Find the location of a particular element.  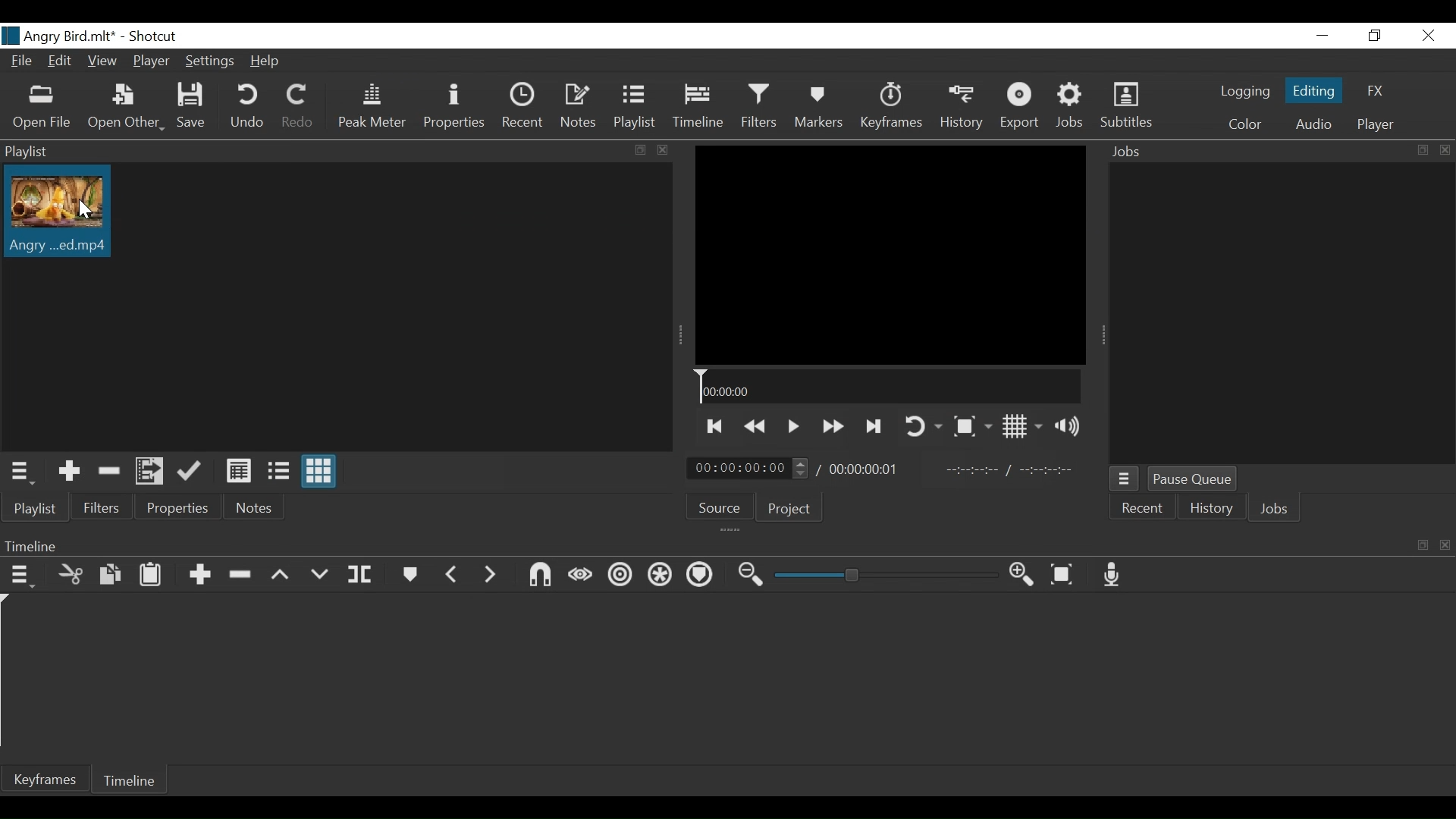

Ripple markers is located at coordinates (699, 576).